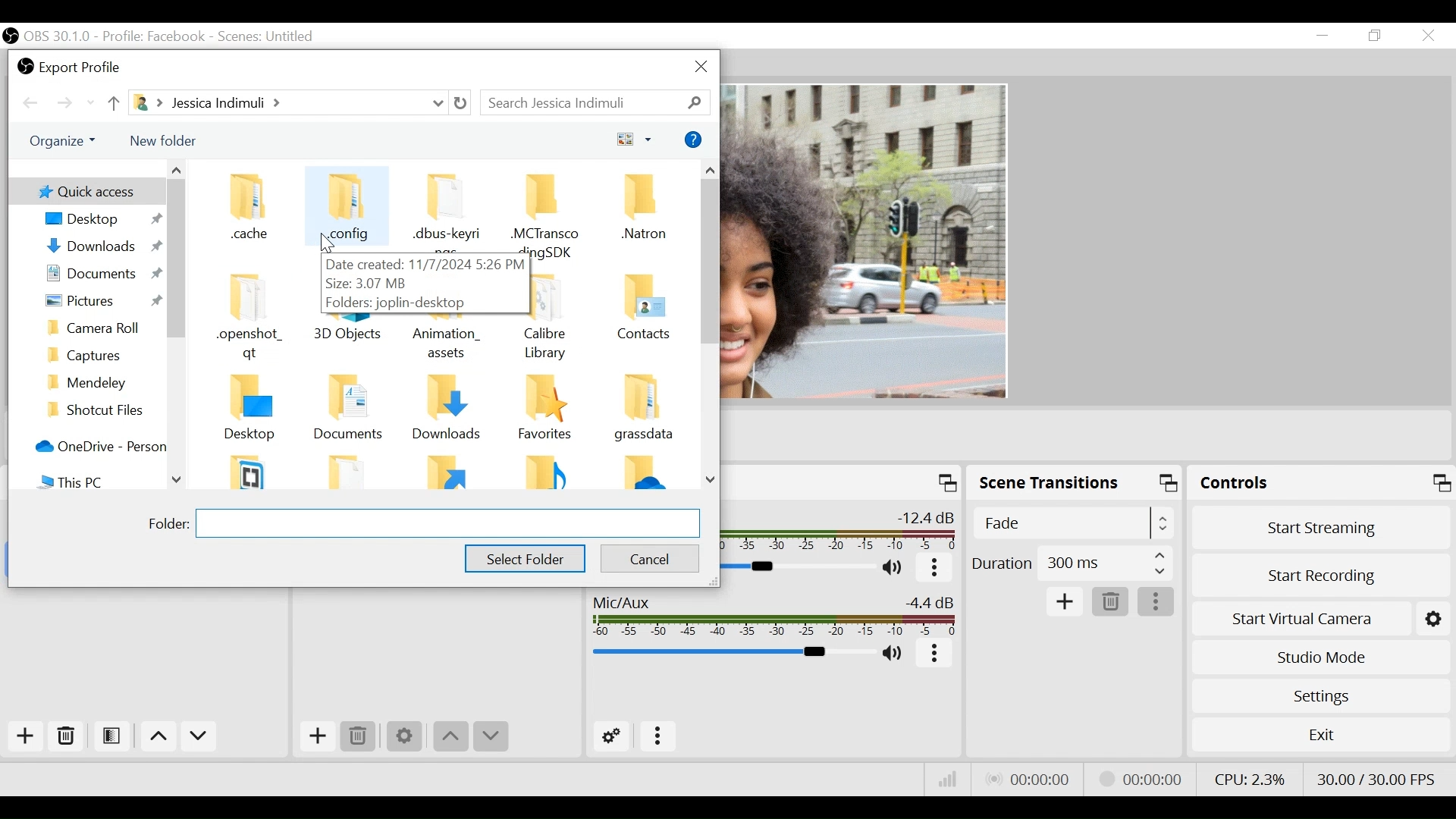 The height and width of the screenshot is (819, 1456). Describe the element at coordinates (99, 275) in the screenshot. I see `Documents` at that location.